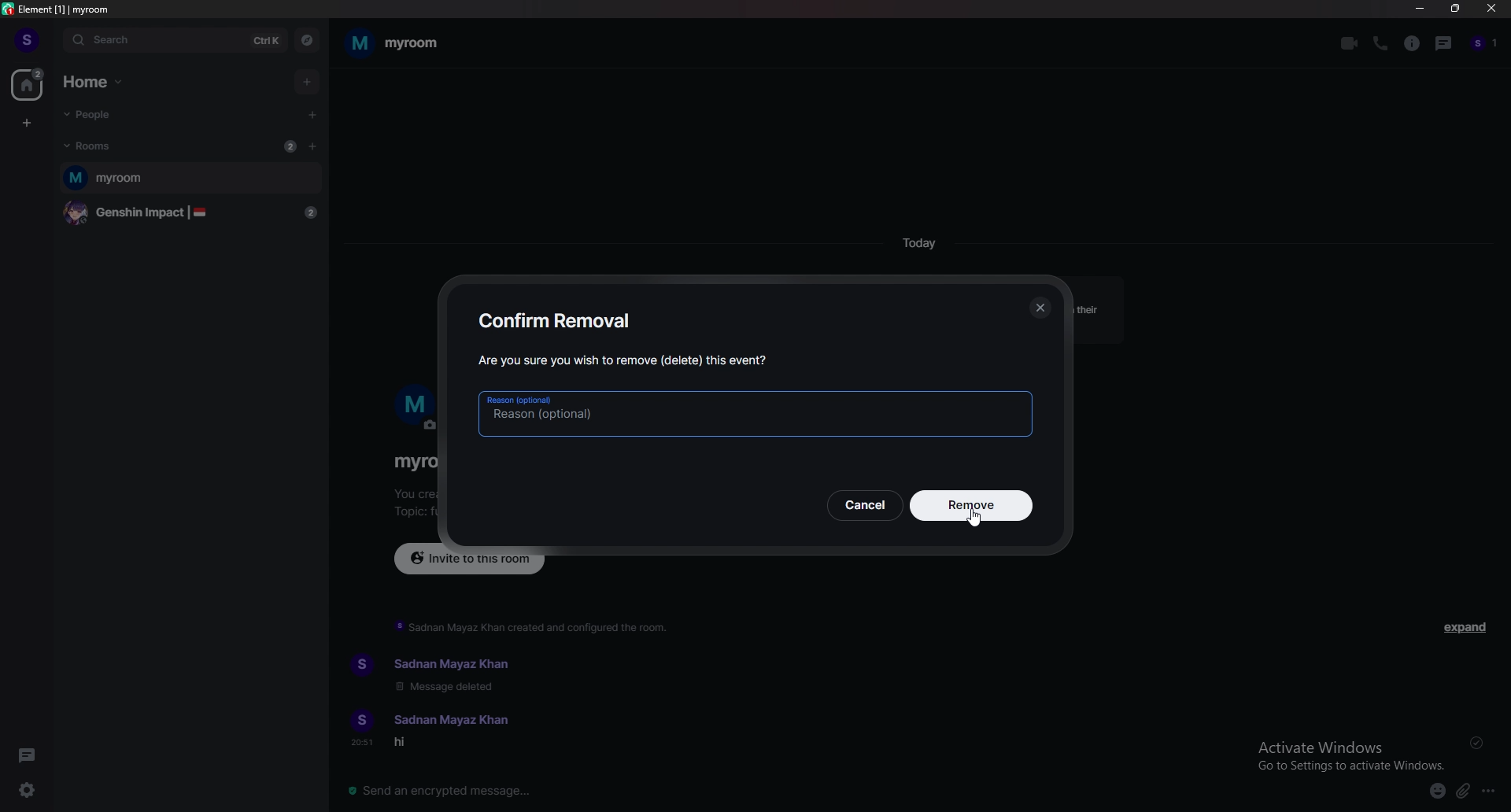 The image size is (1511, 812). Describe the element at coordinates (757, 412) in the screenshot. I see `reason (optional): reason (optional)` at that location.